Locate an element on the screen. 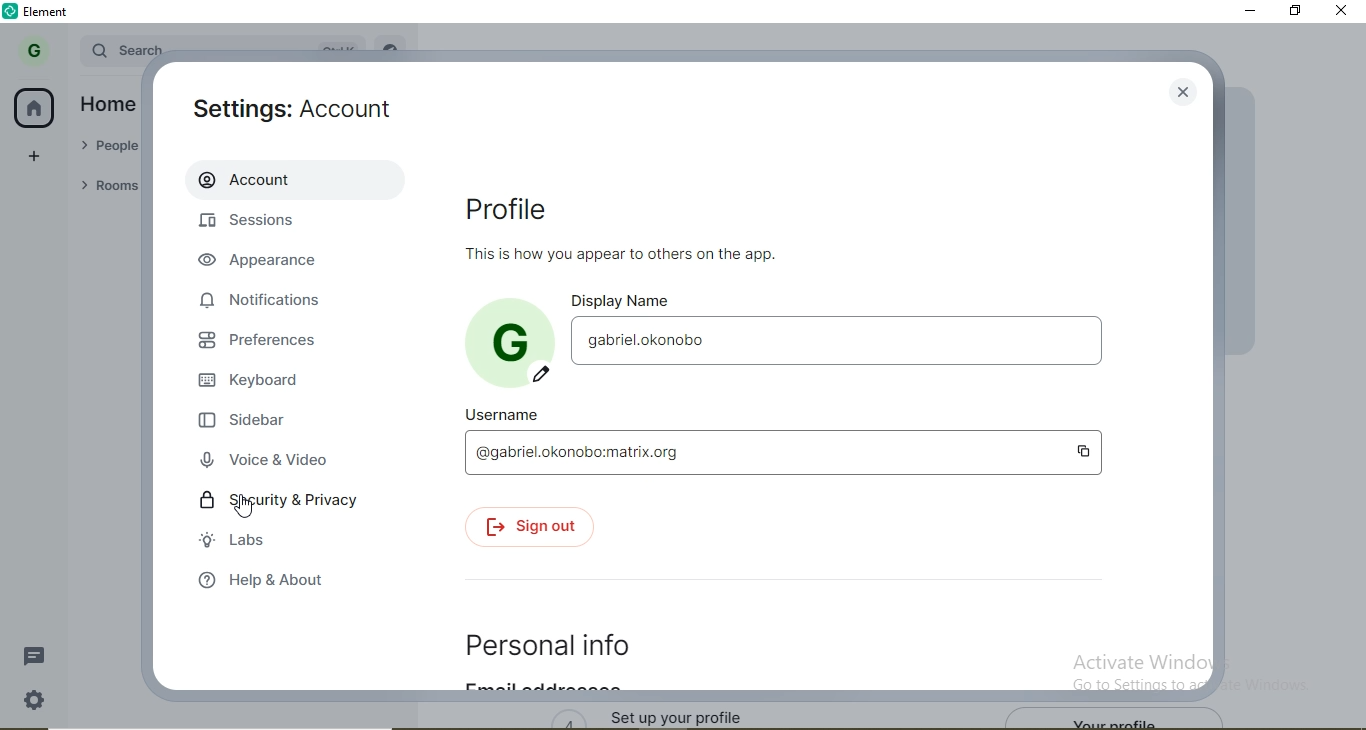  help & about is located at coordinates (278, 580).